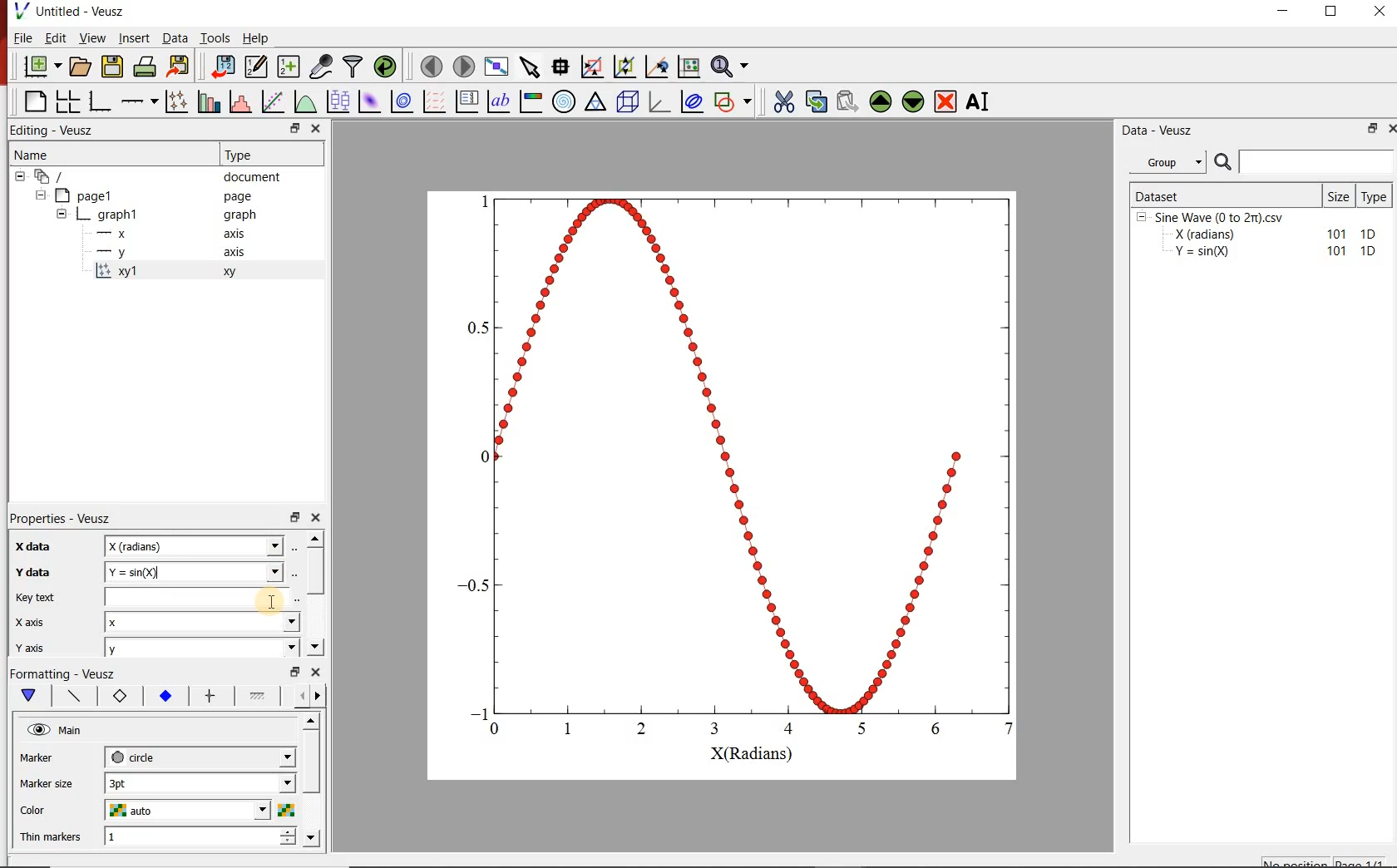 The height and width of the screenshot is (868, 1397). I want to click on next-tick, so click(200, 756).